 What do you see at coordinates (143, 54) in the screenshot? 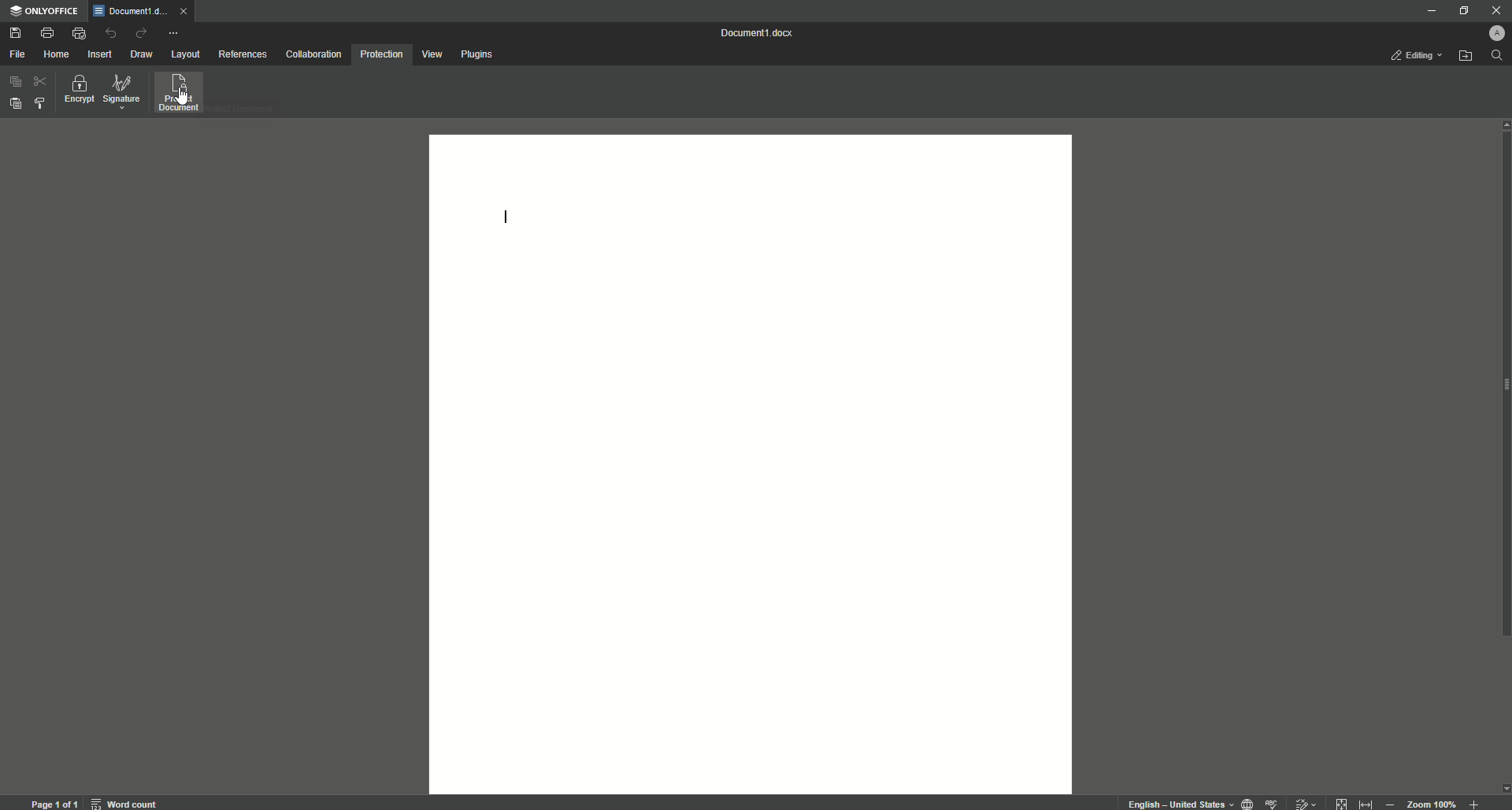
I see `Draw` at bounding box center [143, 54].